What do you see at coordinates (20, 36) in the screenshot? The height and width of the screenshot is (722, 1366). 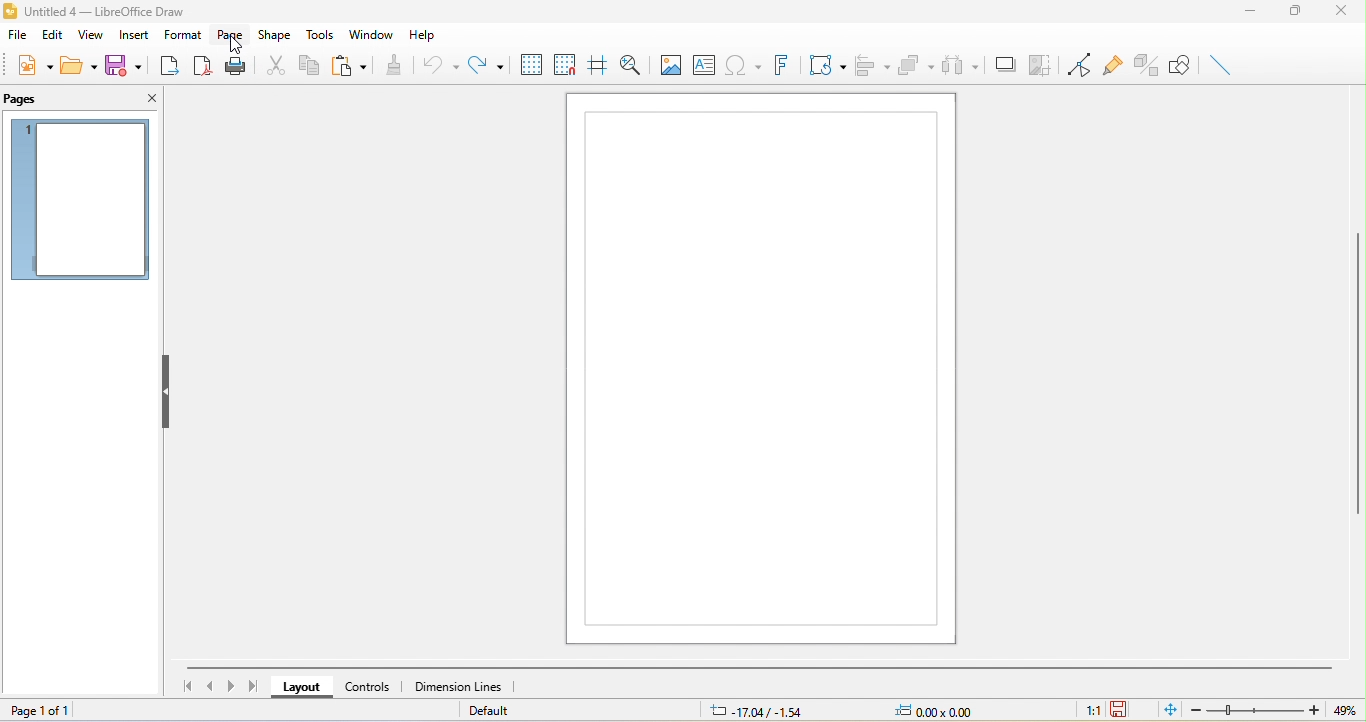 I see `file` at bounding box center [20, 36].